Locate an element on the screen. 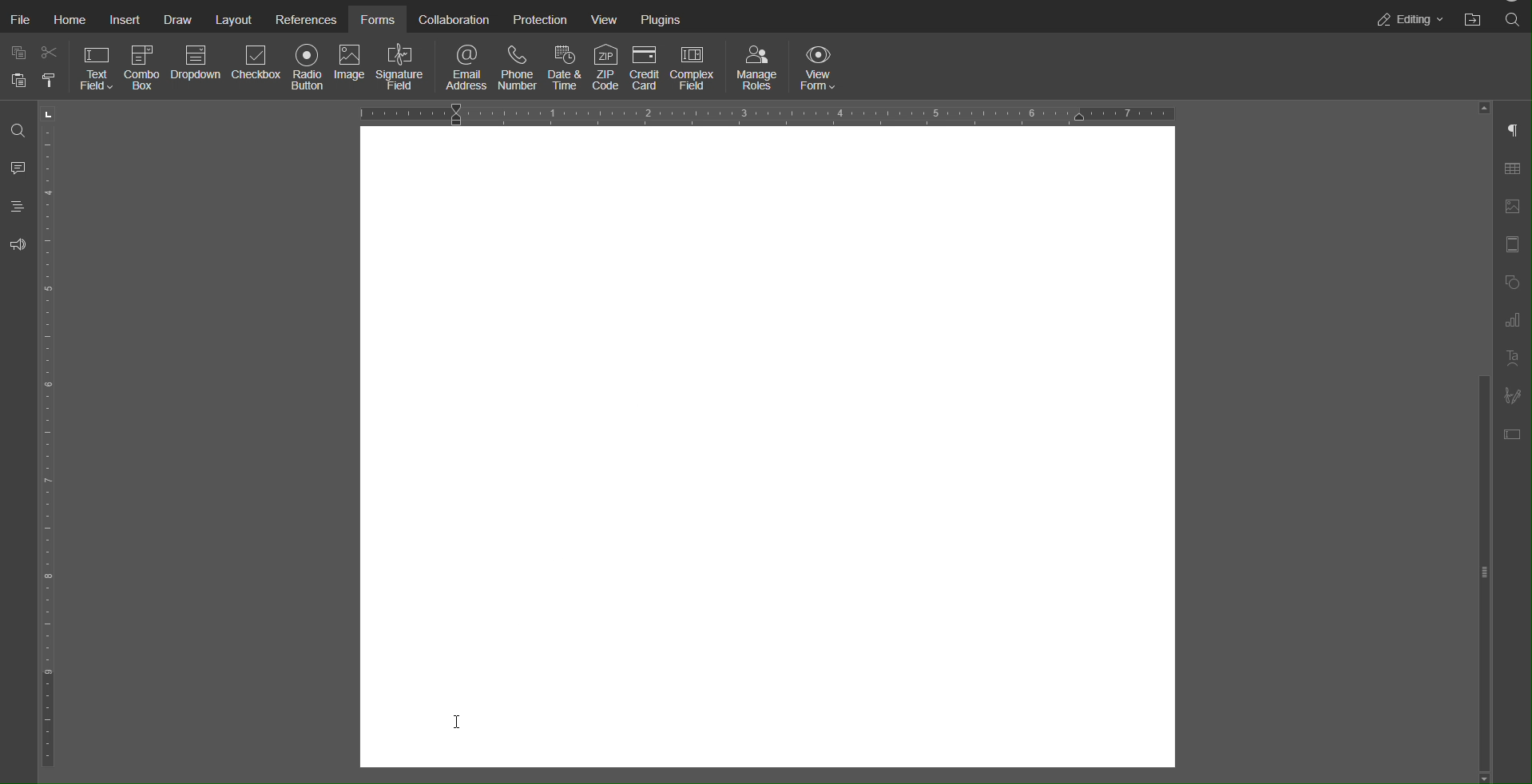  blank page is located at coordinates (760, 451).